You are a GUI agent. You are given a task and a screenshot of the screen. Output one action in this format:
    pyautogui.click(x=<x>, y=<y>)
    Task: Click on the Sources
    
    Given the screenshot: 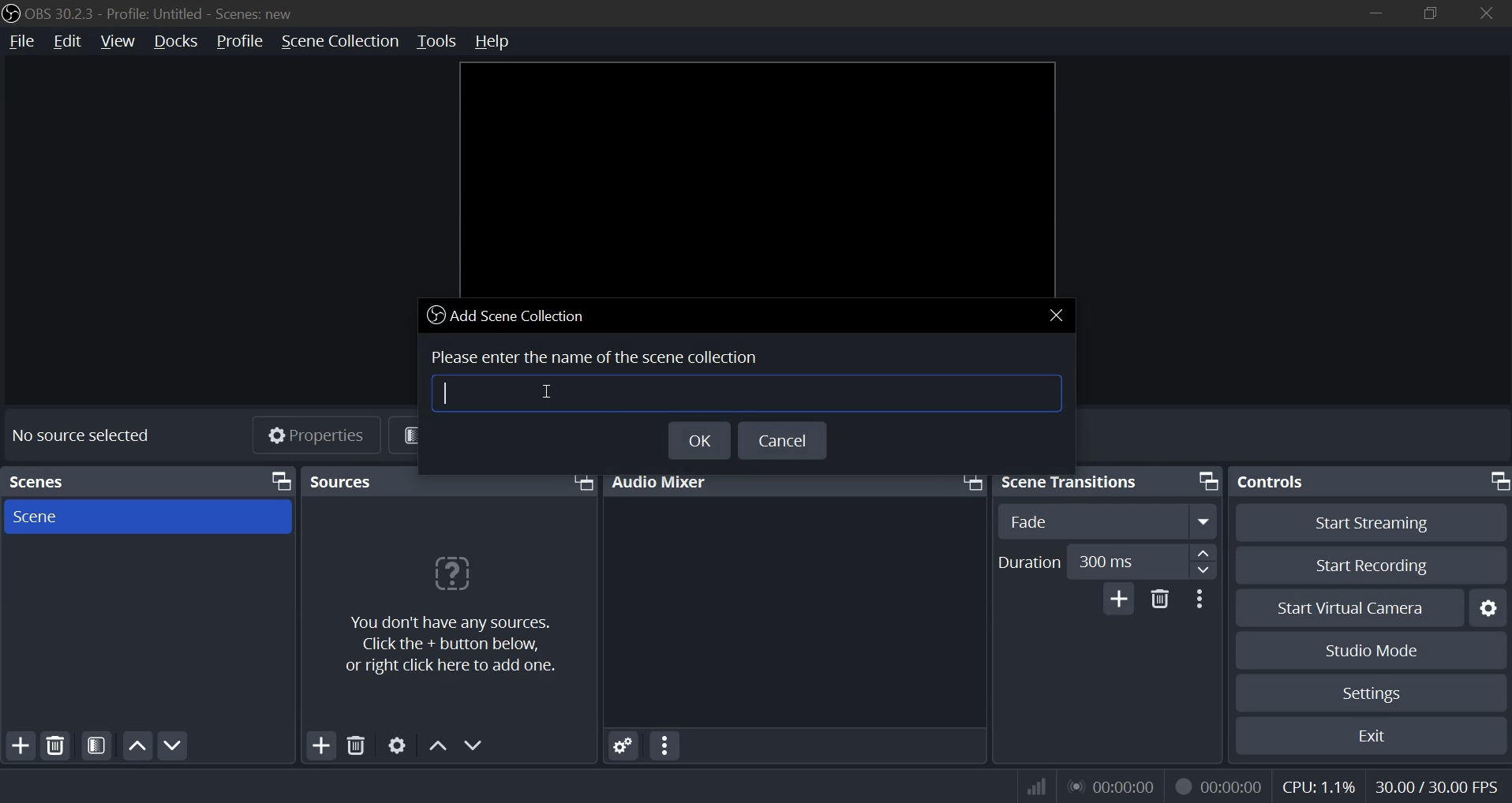 What is the action you would take?
    pyautogui.click(x=346, y=481)
    